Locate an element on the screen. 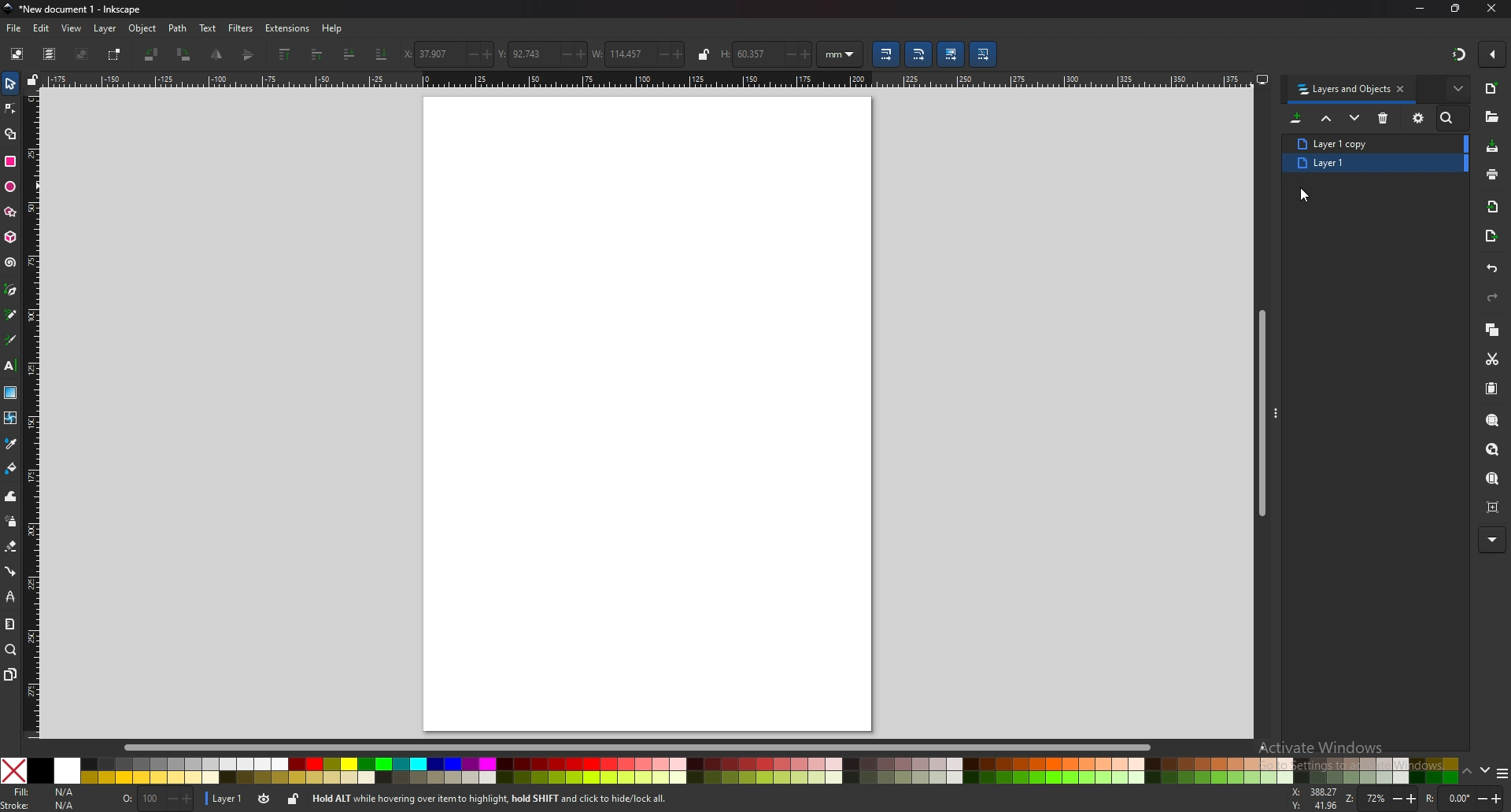 The width and height of the screenshot is (1511, 812). colors is located at coordinates (770, 771).